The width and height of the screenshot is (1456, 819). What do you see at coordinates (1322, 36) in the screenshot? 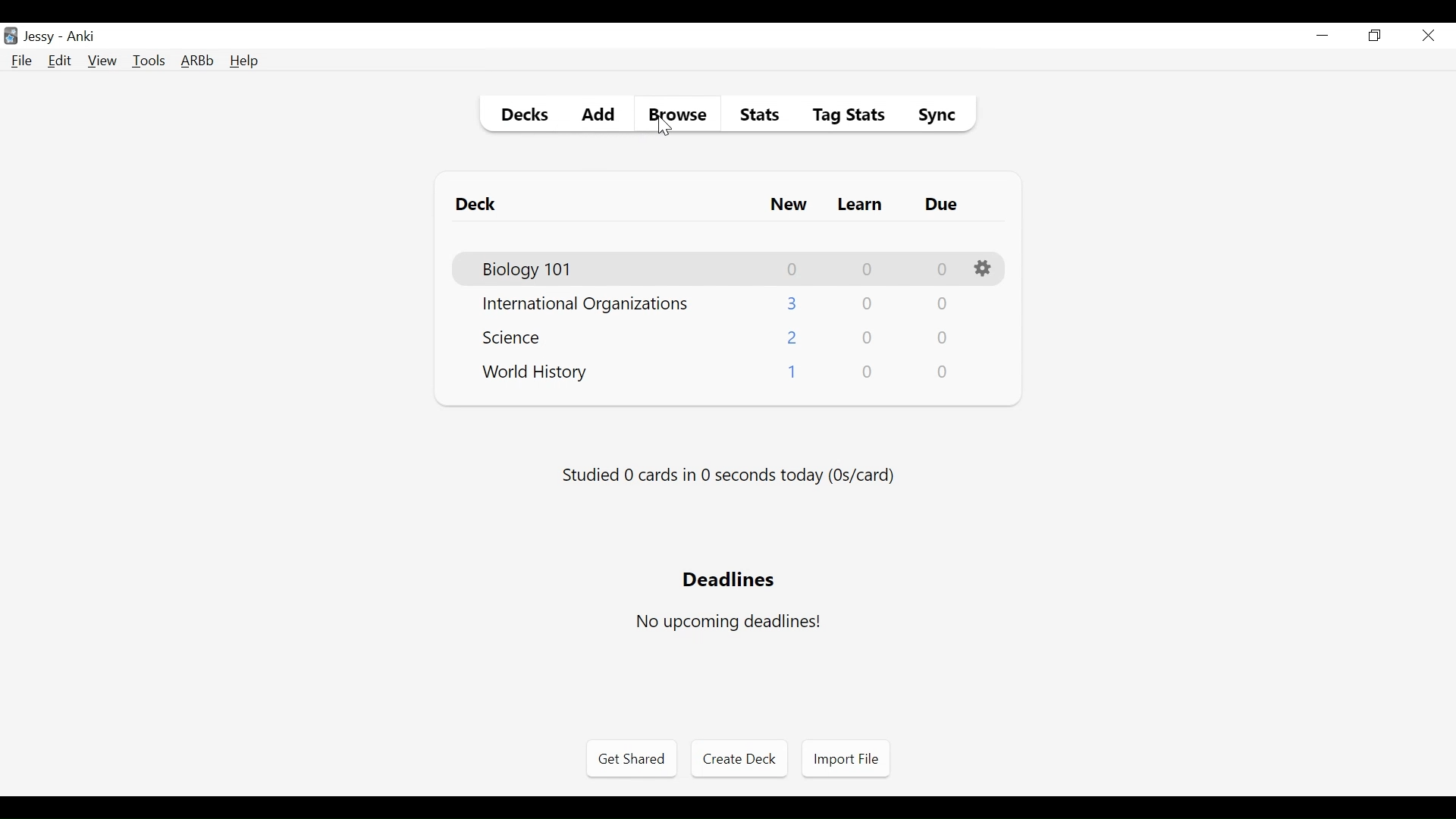
I see `minimize` at bounding box center [1322, 36].